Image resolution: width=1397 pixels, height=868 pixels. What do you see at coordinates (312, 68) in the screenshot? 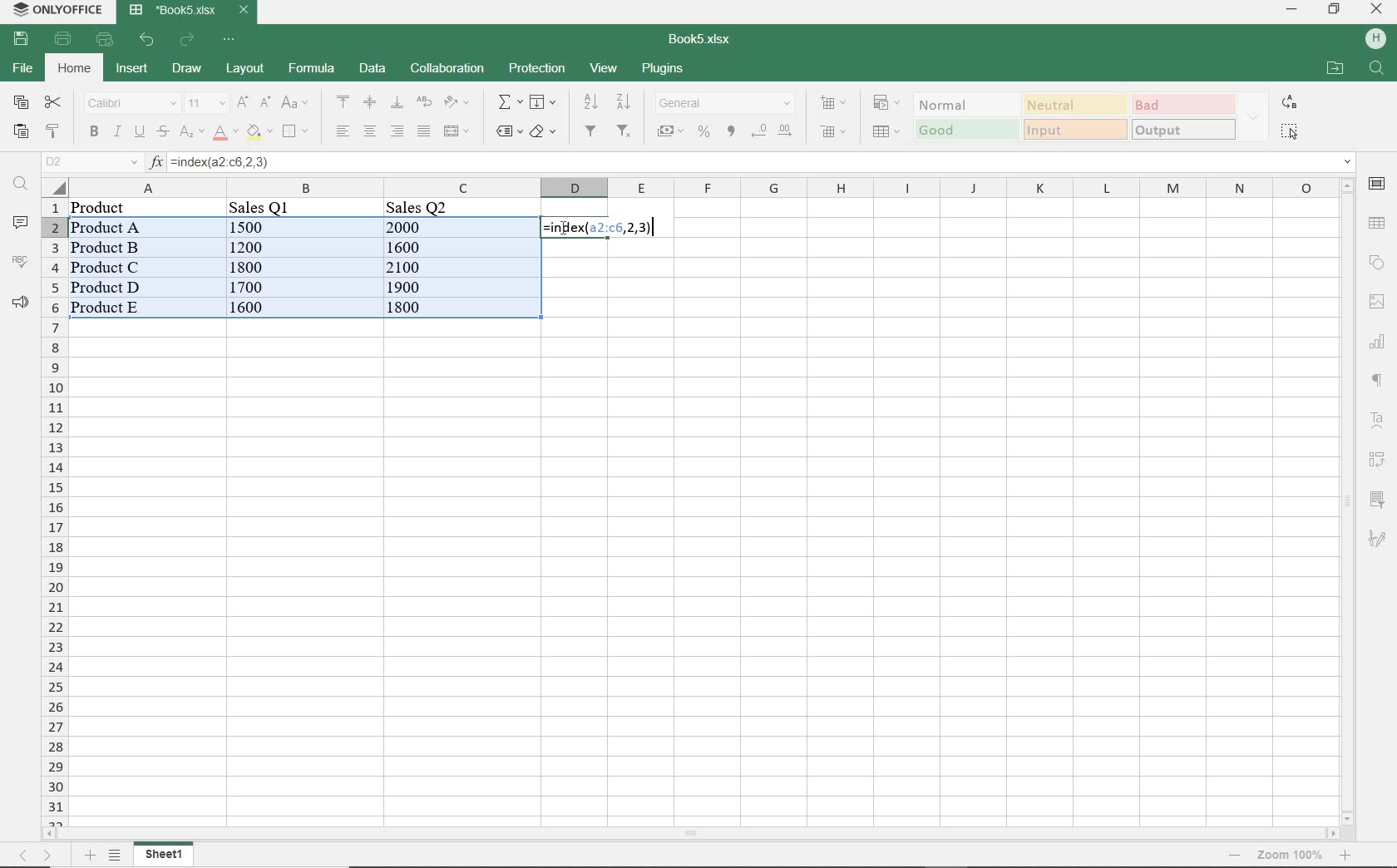
I see `formula` at bounding box center [312, 68].